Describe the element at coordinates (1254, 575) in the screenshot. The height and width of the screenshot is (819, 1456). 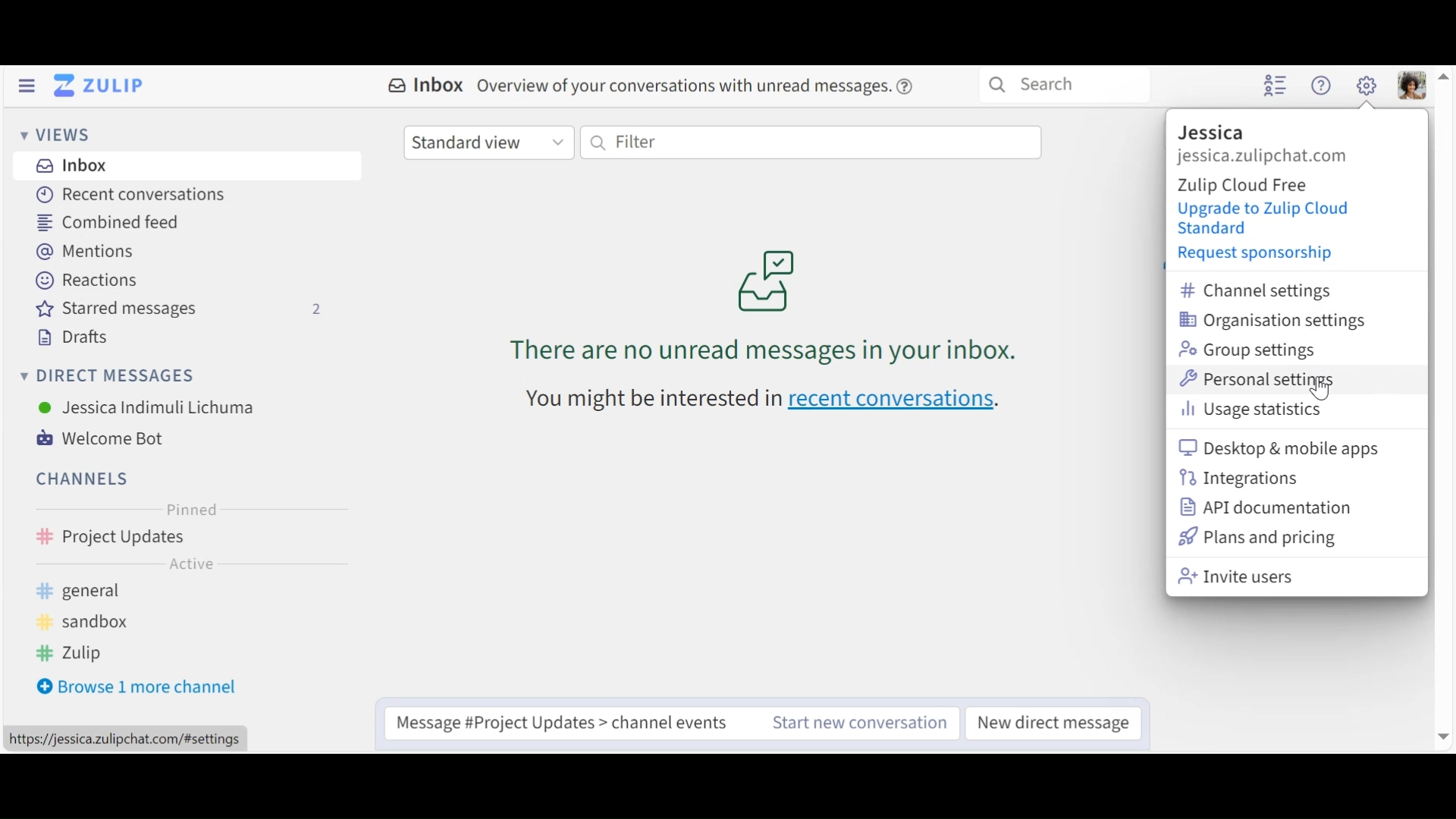
I see `Invite Users` at that location.